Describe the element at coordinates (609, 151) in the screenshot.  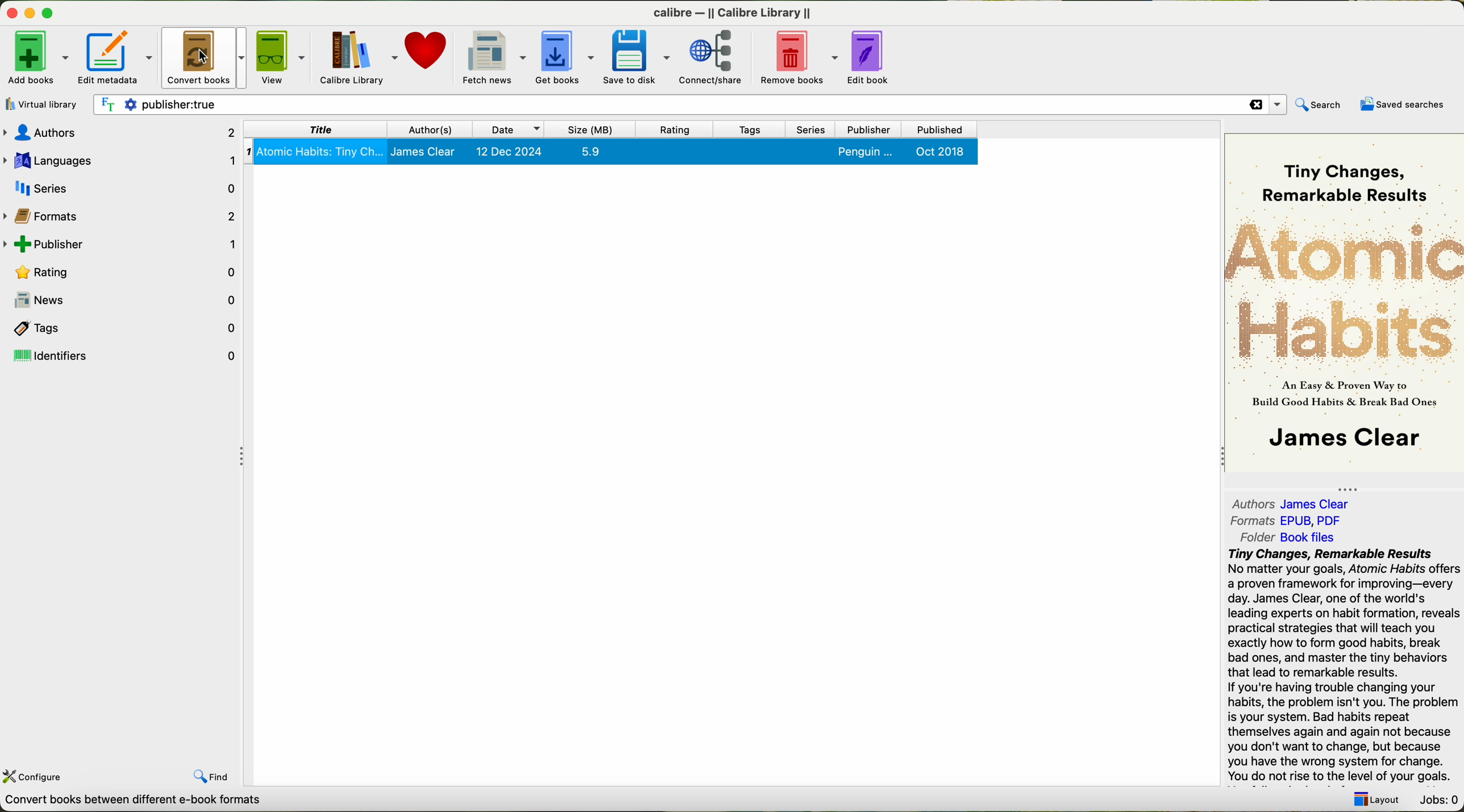
I see `book selected` at that location.